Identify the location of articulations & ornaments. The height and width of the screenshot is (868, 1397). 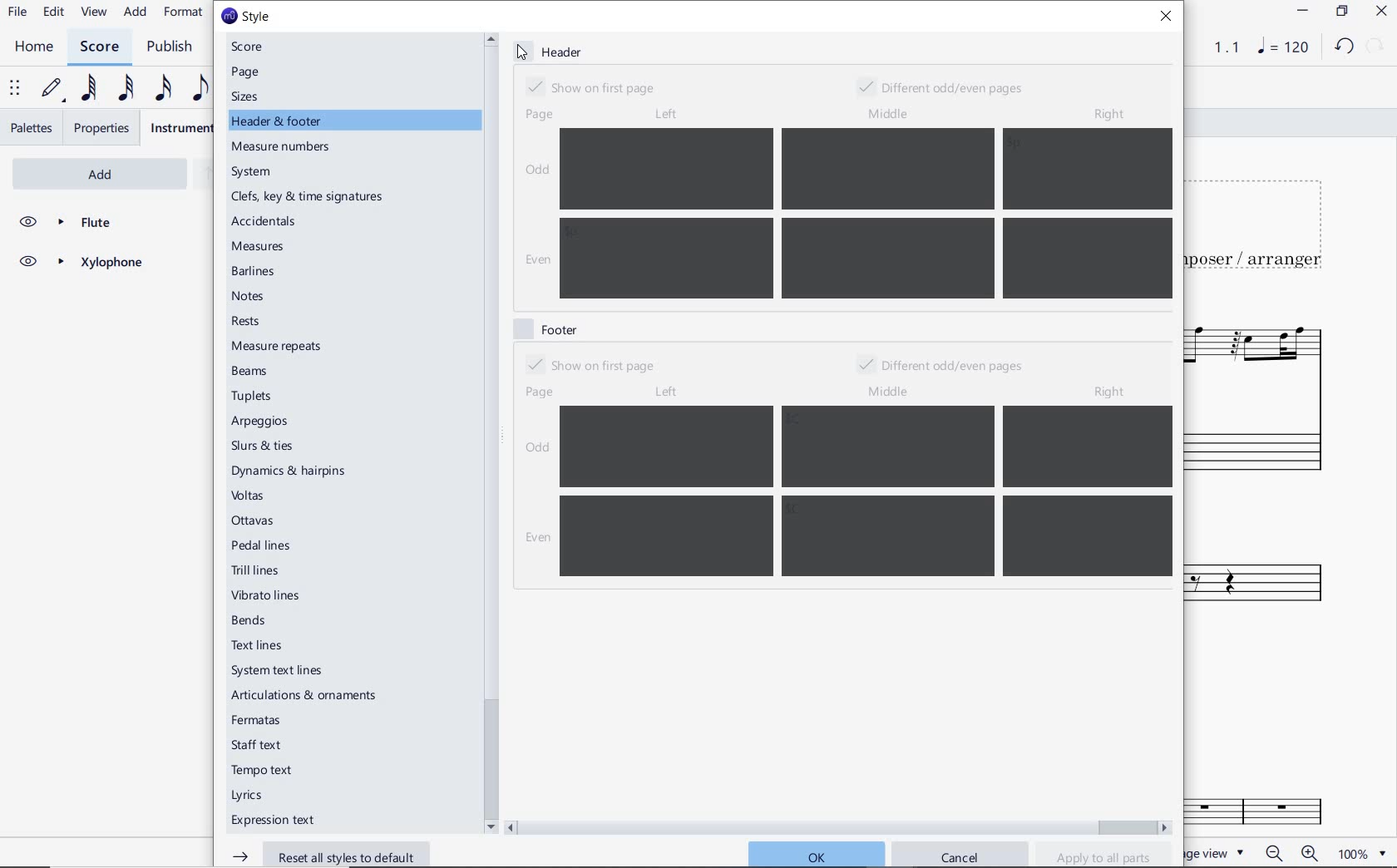
(309, 697).